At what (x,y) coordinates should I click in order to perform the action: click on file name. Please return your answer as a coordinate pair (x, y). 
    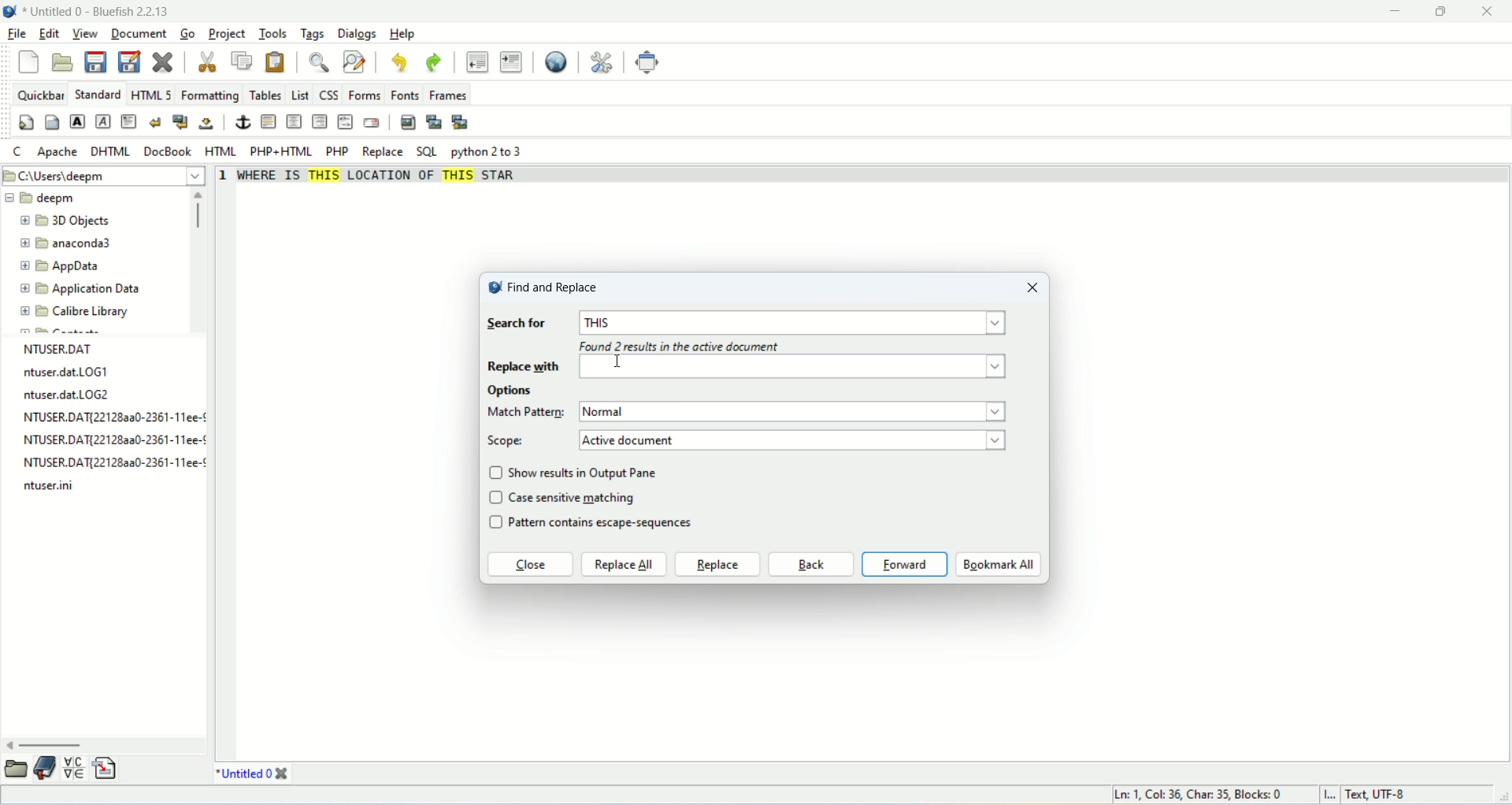
    Looking at the image, I should click on (117, 417).